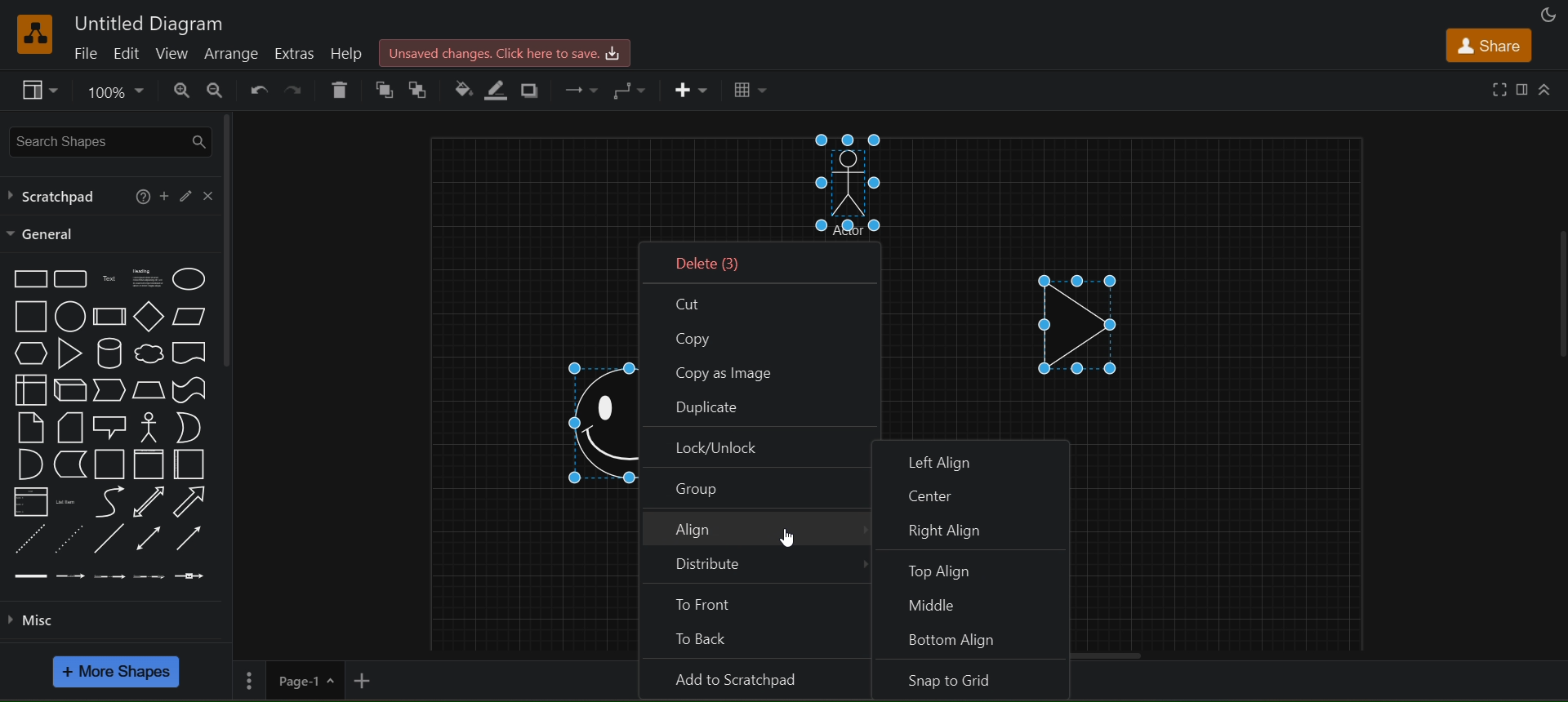  I want to click on help, so click(349, 53).